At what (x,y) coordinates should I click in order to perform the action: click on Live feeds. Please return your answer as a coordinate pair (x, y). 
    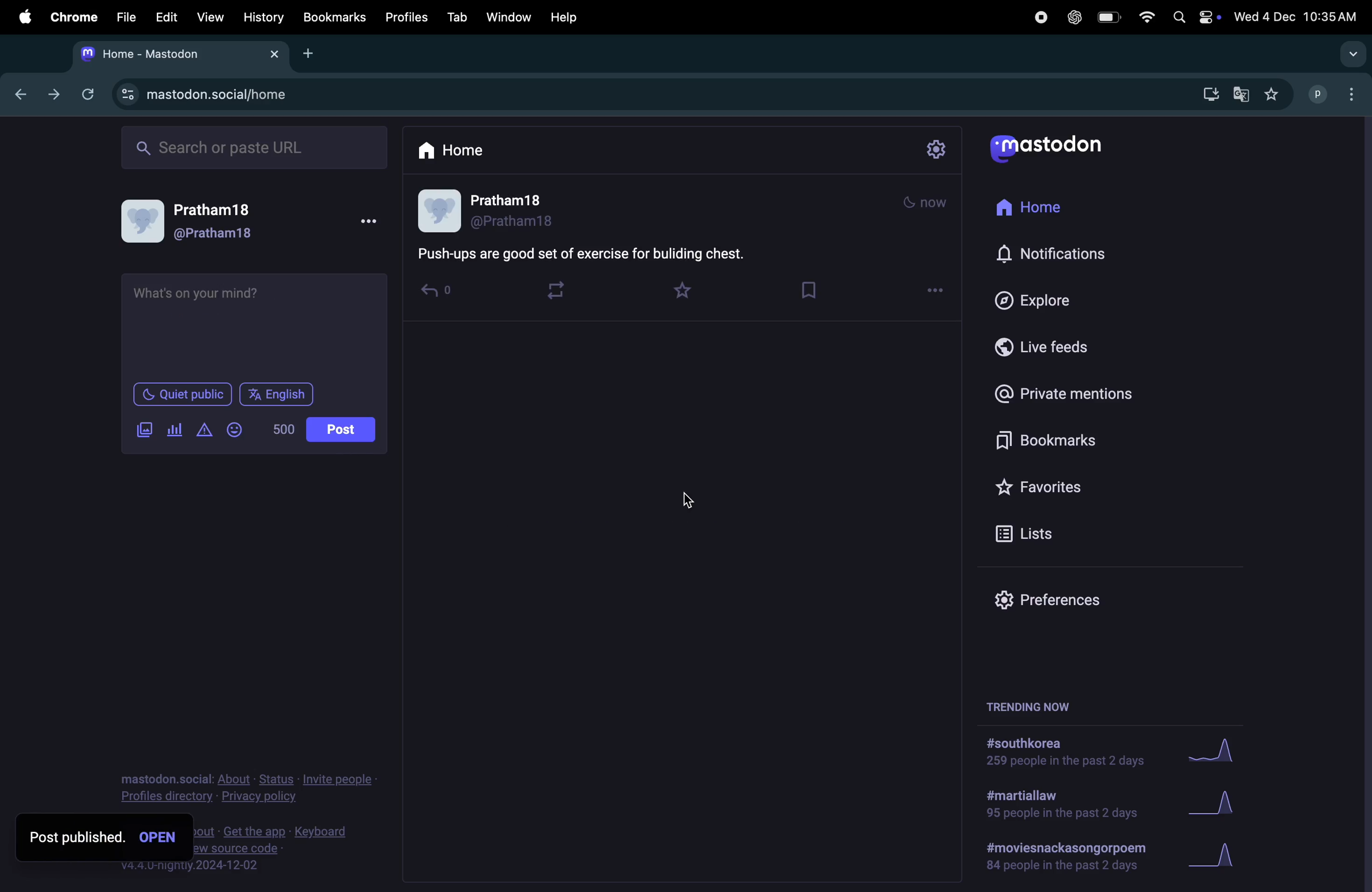
    Looking at the image, I should click on (1042, 345).